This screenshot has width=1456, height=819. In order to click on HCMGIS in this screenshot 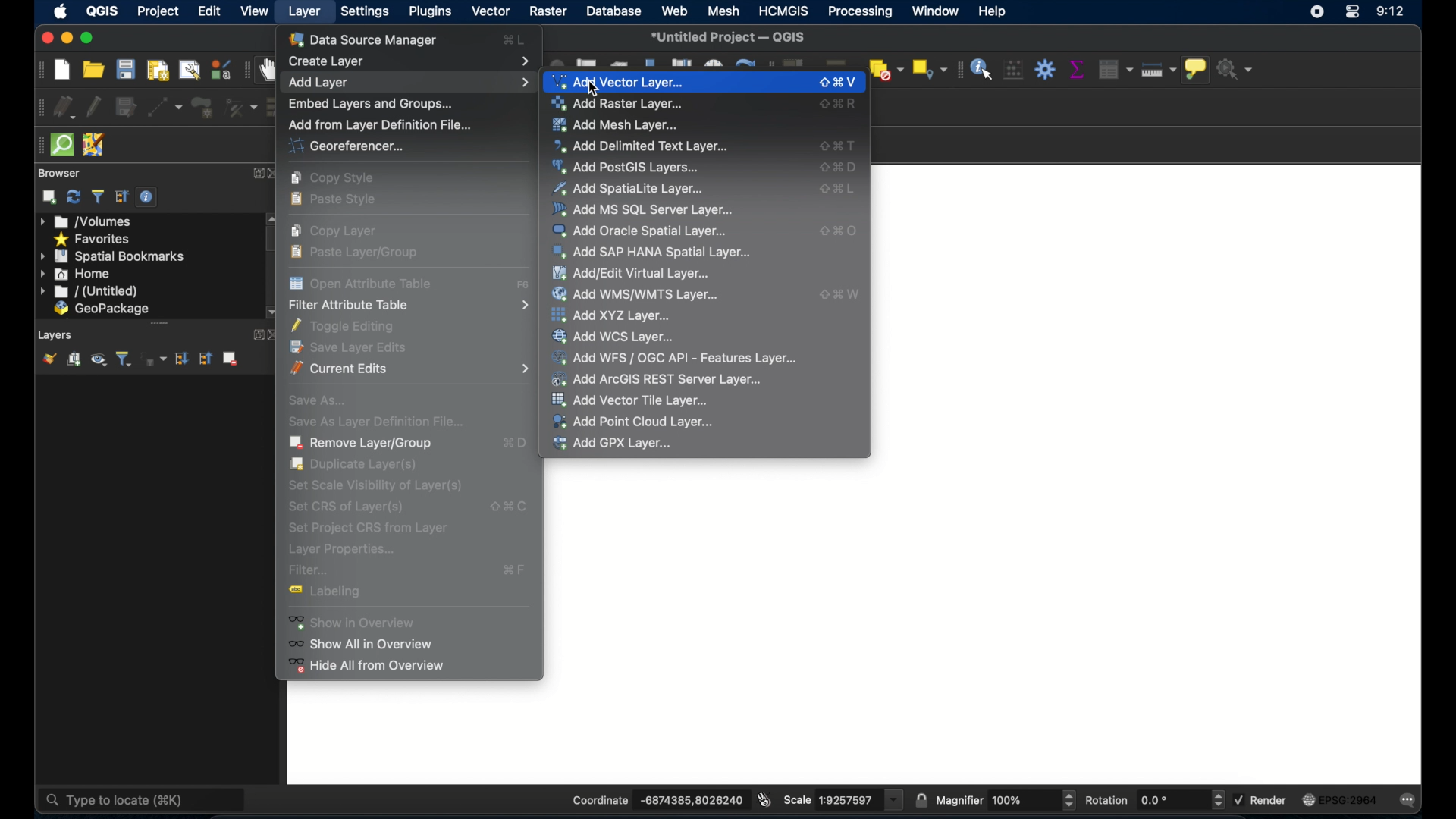, I will do `click(785, 11)`.